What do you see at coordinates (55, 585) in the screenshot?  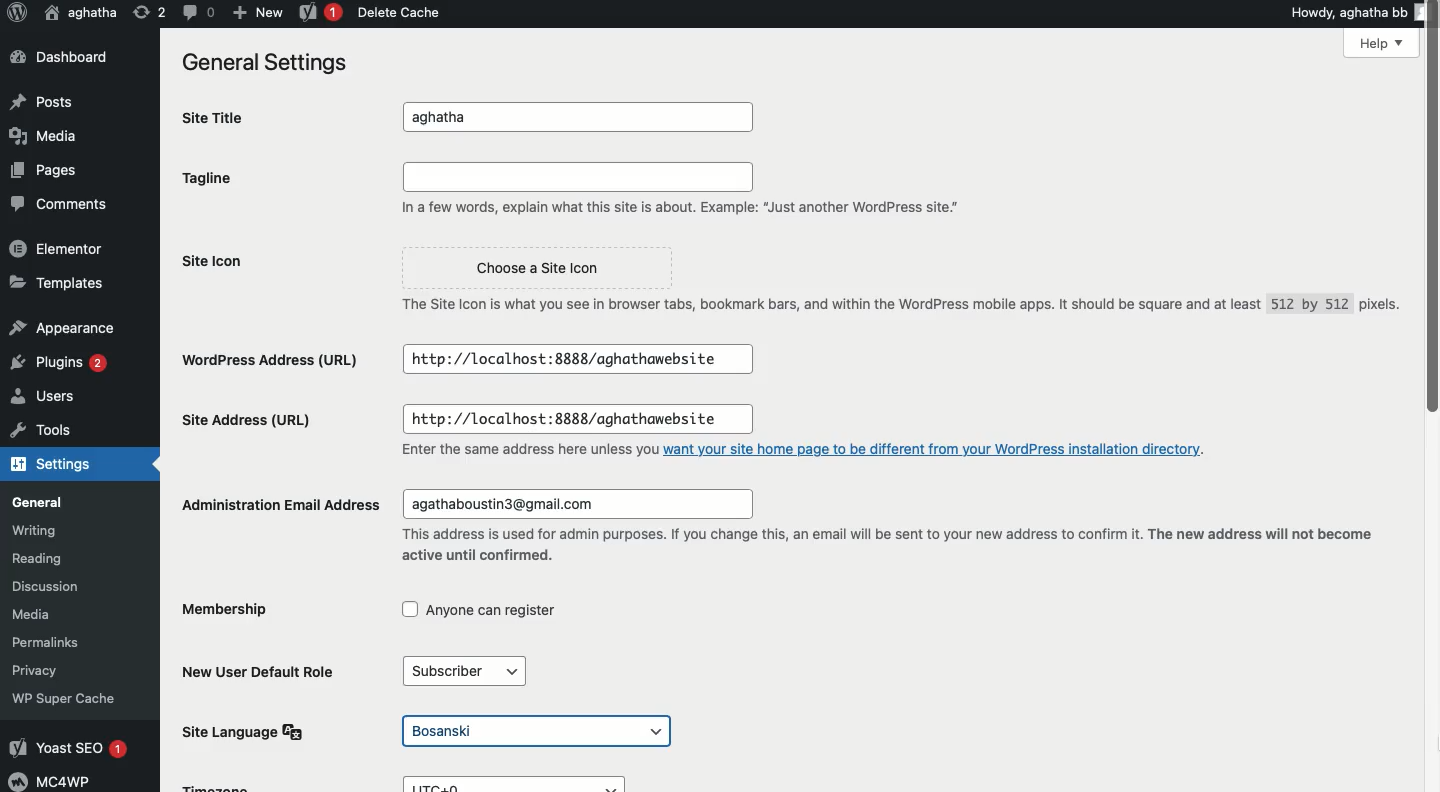 I see `Discussion` at bounding box center [55, 585].